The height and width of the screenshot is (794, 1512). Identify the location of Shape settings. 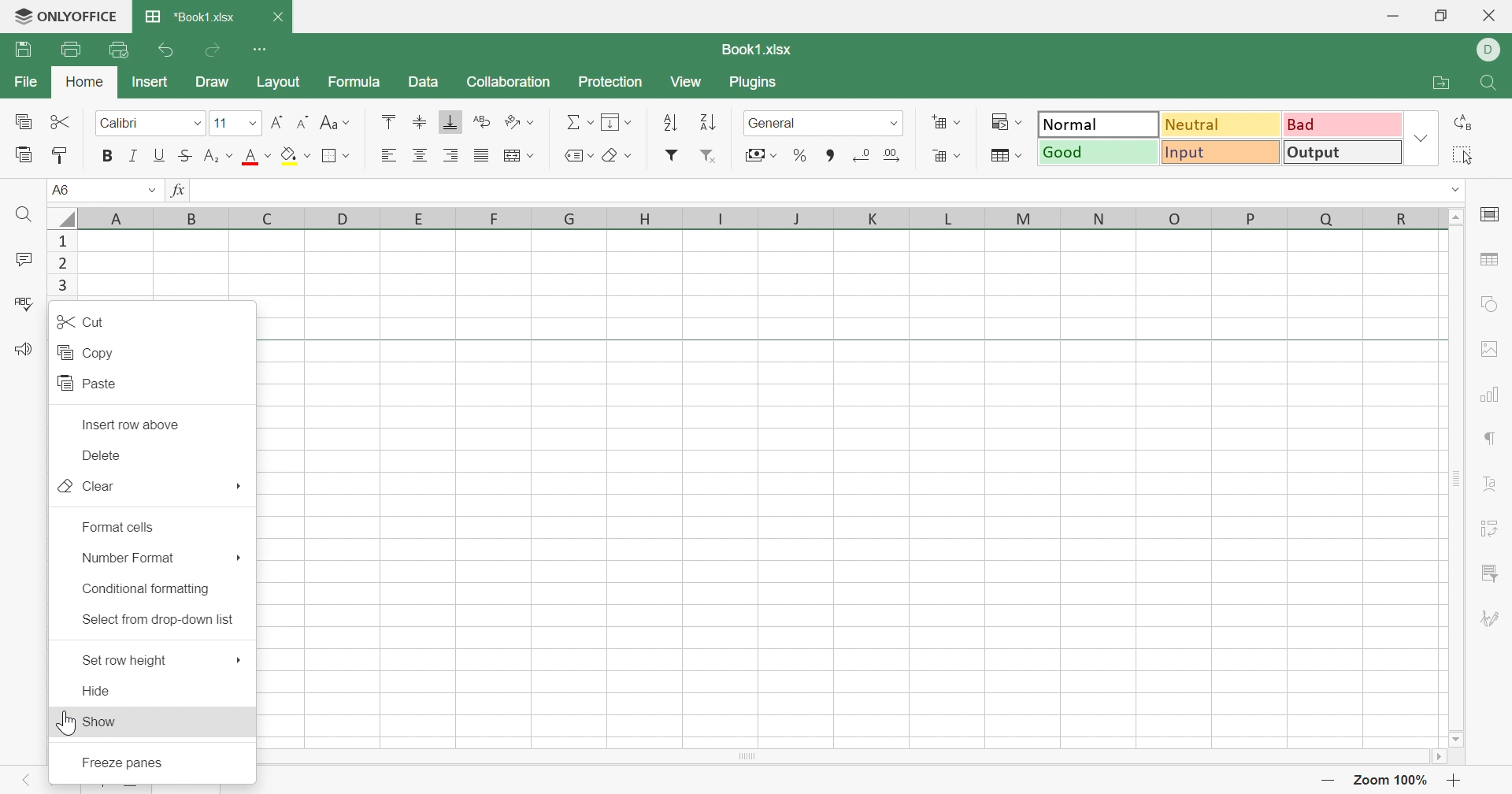
(1490, 303).